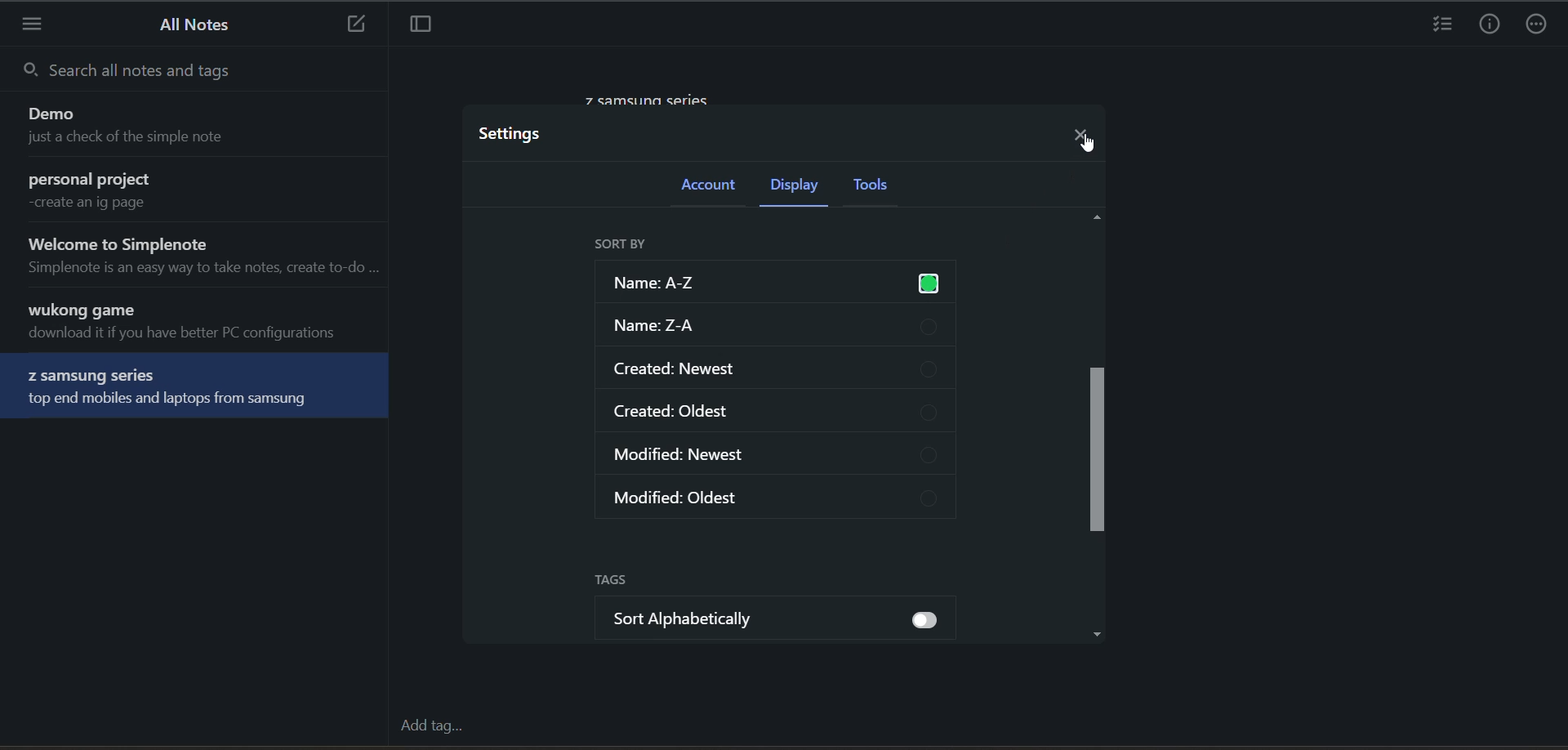  I want to click on vertical scroll bar, so click(1096, 423).